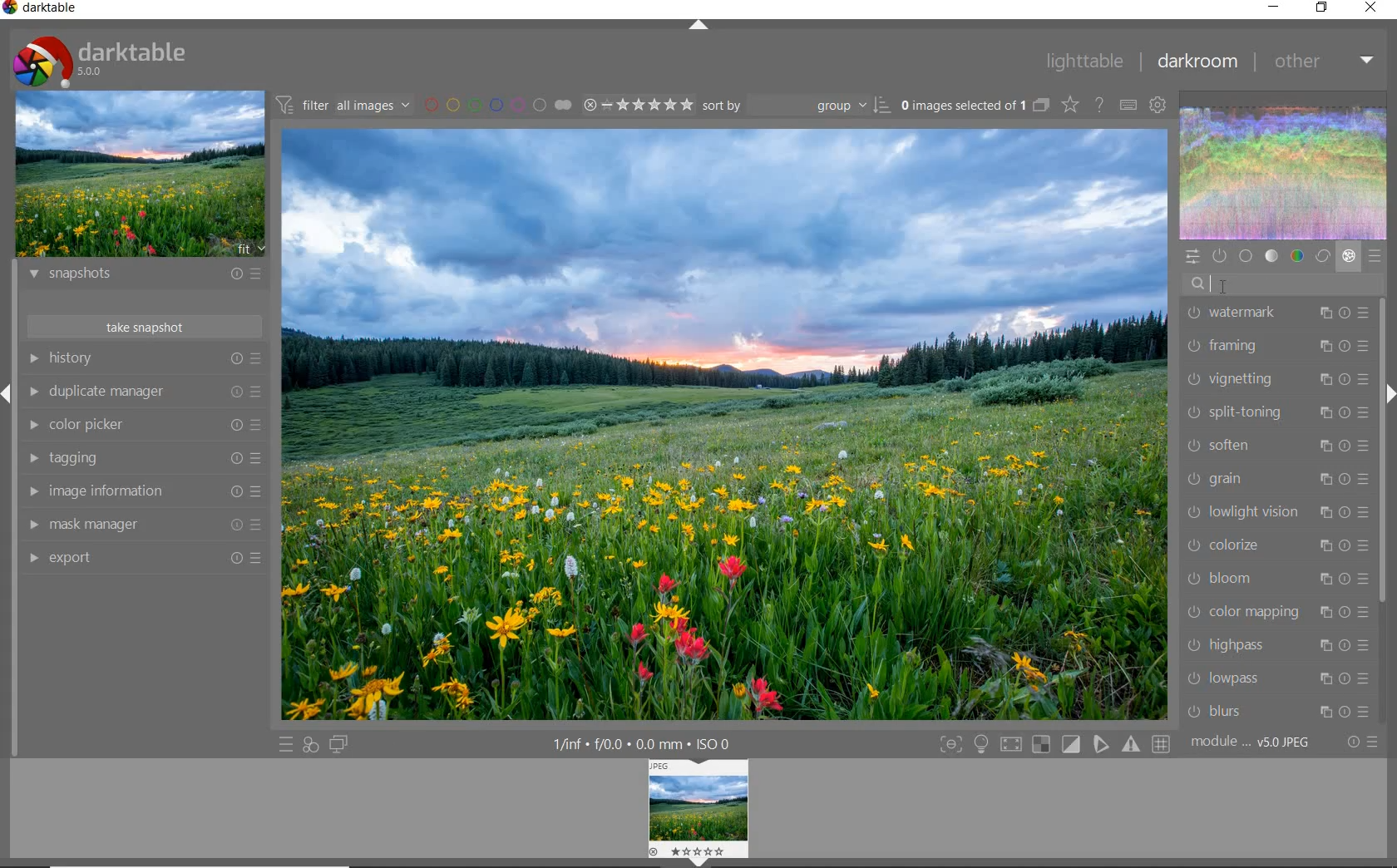  What do you see at coordinates (1218, 256) in the screenshot?
I see `show only active modules` at bounding box center [1218, 256].